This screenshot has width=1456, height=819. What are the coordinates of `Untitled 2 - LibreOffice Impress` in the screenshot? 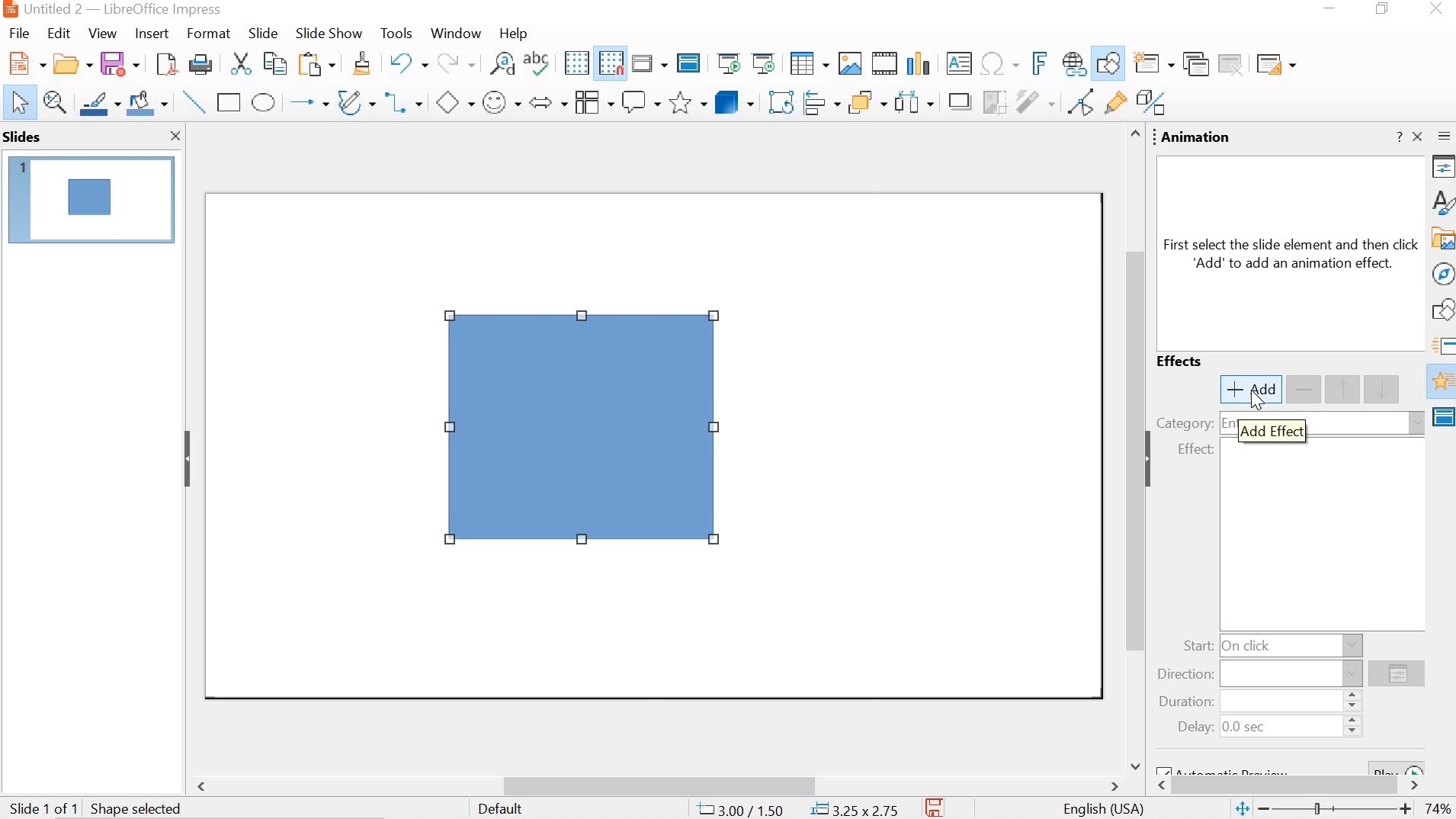 It's located at (110, 10).